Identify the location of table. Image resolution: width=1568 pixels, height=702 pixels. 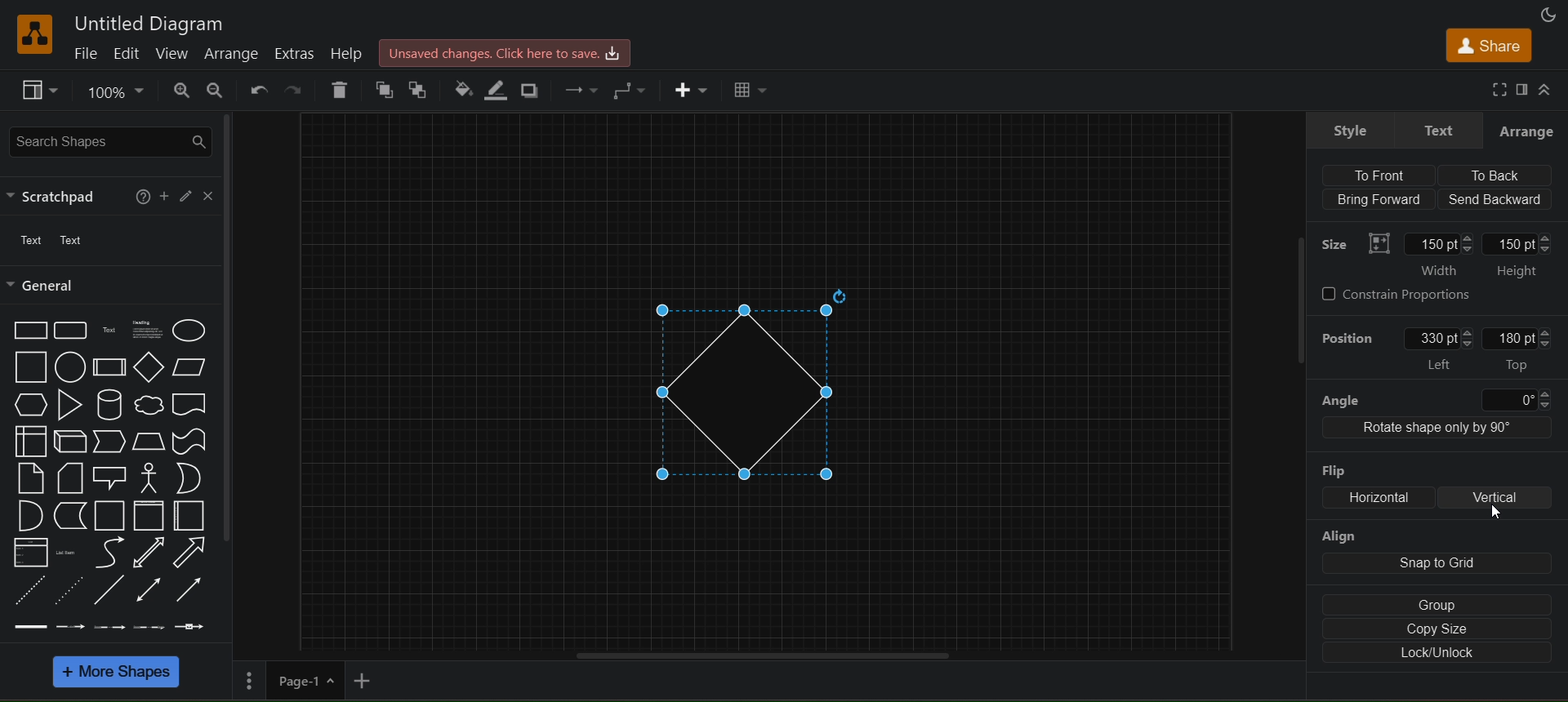
(752, 89).